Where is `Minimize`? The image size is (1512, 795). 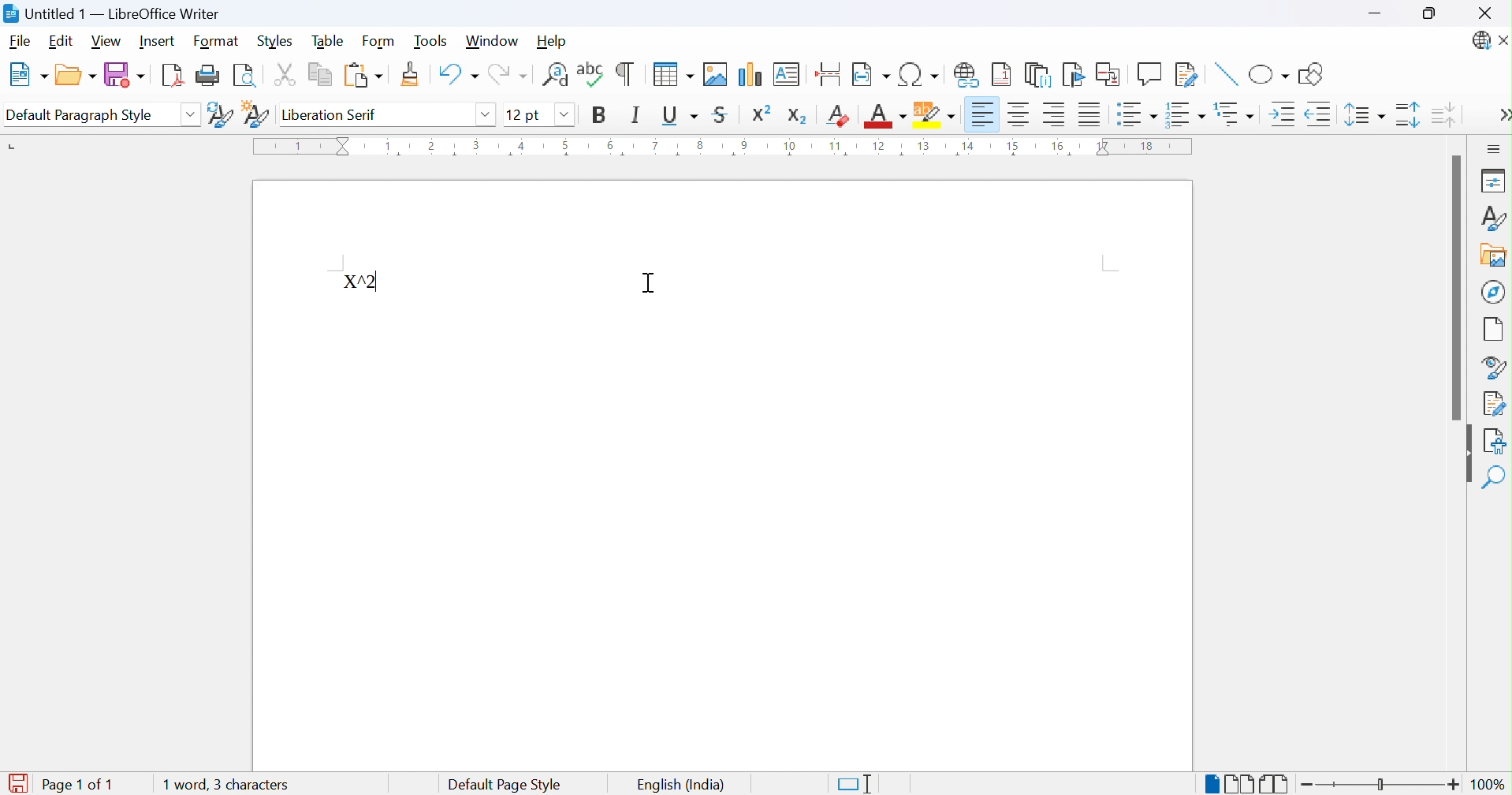
Minimize is located at coordinates (1375, 15).